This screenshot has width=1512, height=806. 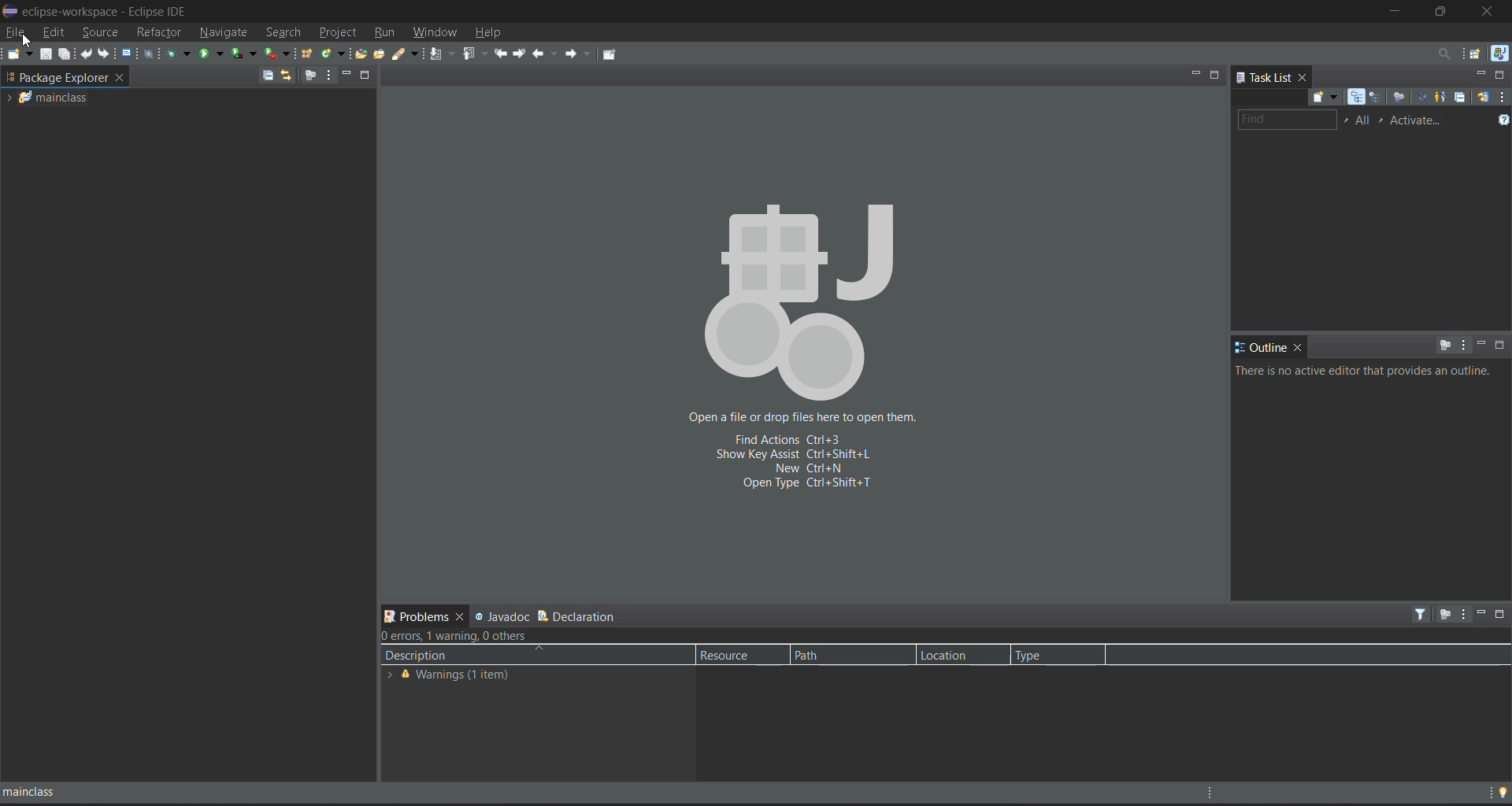 I want to click on type, so click(x=1049, y=655).